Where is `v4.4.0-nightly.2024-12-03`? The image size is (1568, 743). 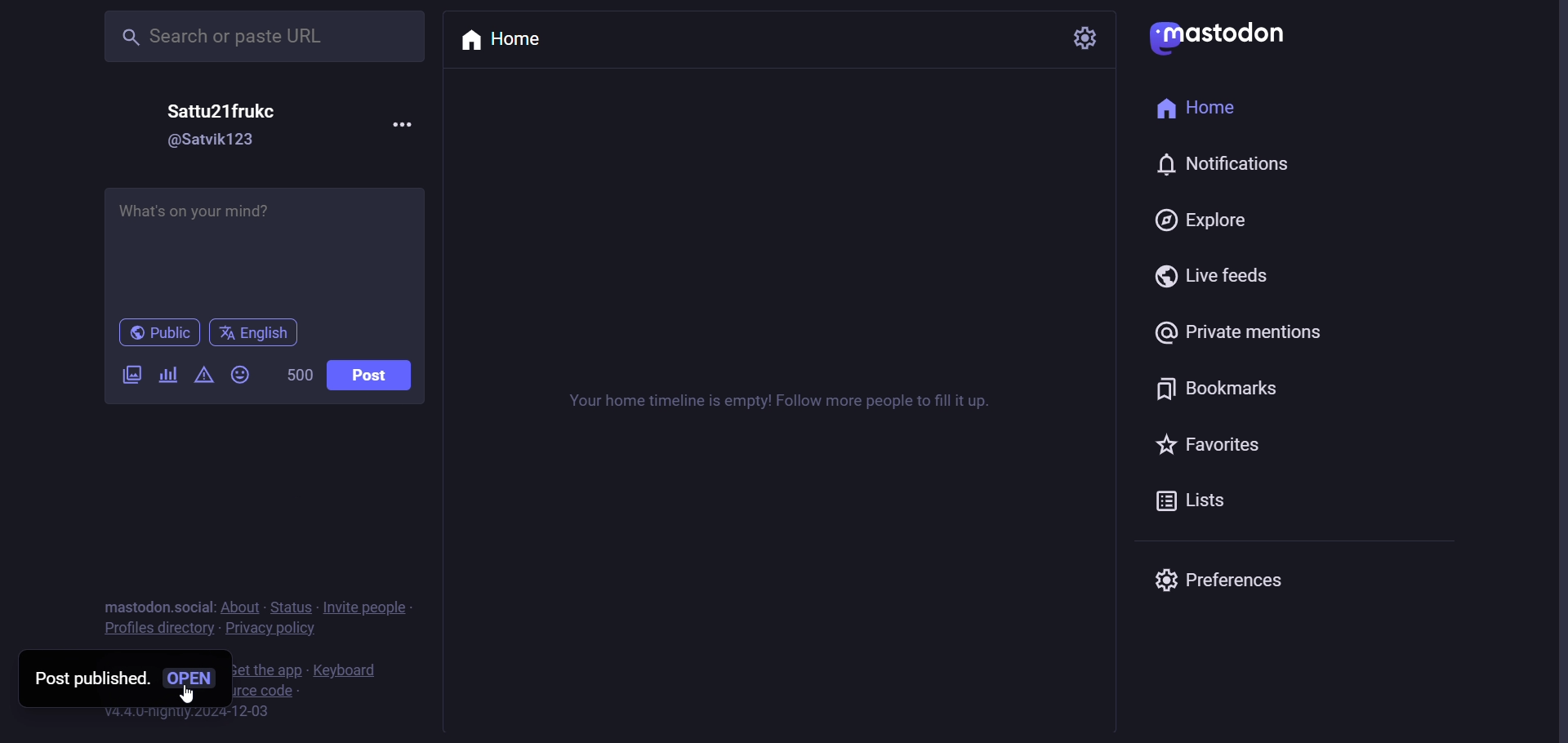
v4.4.0-nightly.2024-12-03 is located at coordinates (193, 713).